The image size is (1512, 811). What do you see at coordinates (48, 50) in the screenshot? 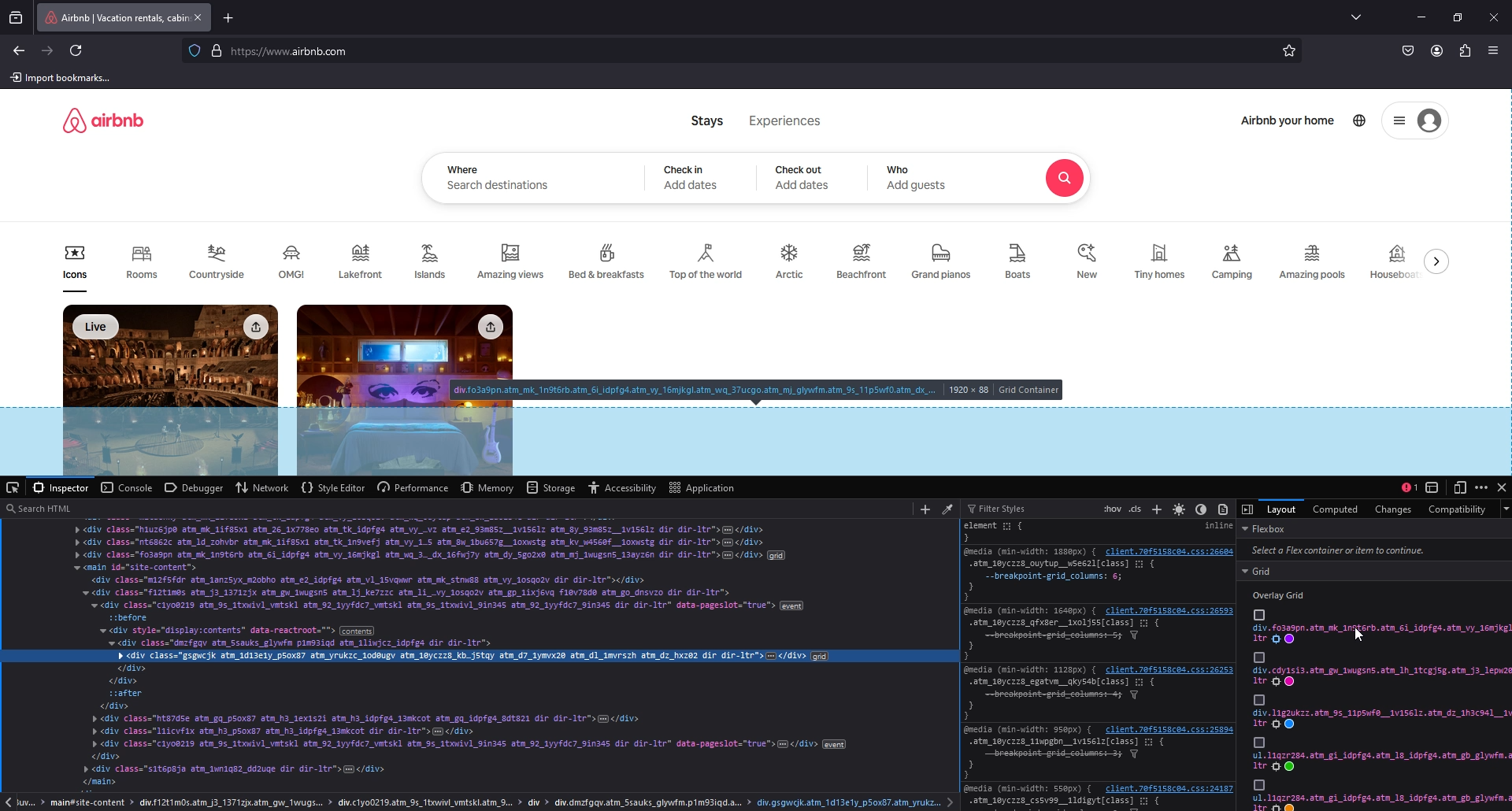
I see `forward` at bounding box center [48, 50].